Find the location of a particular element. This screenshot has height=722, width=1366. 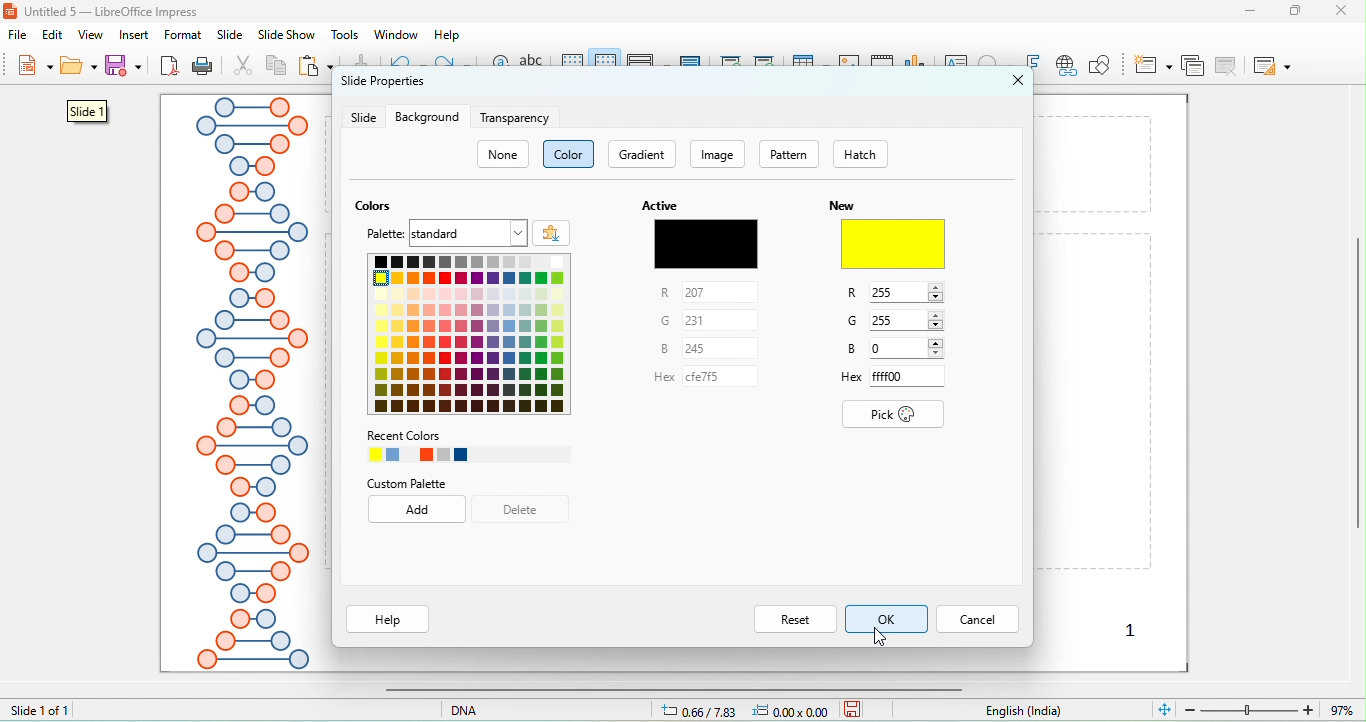

hyperlink is located at coordinates (1065, 67).